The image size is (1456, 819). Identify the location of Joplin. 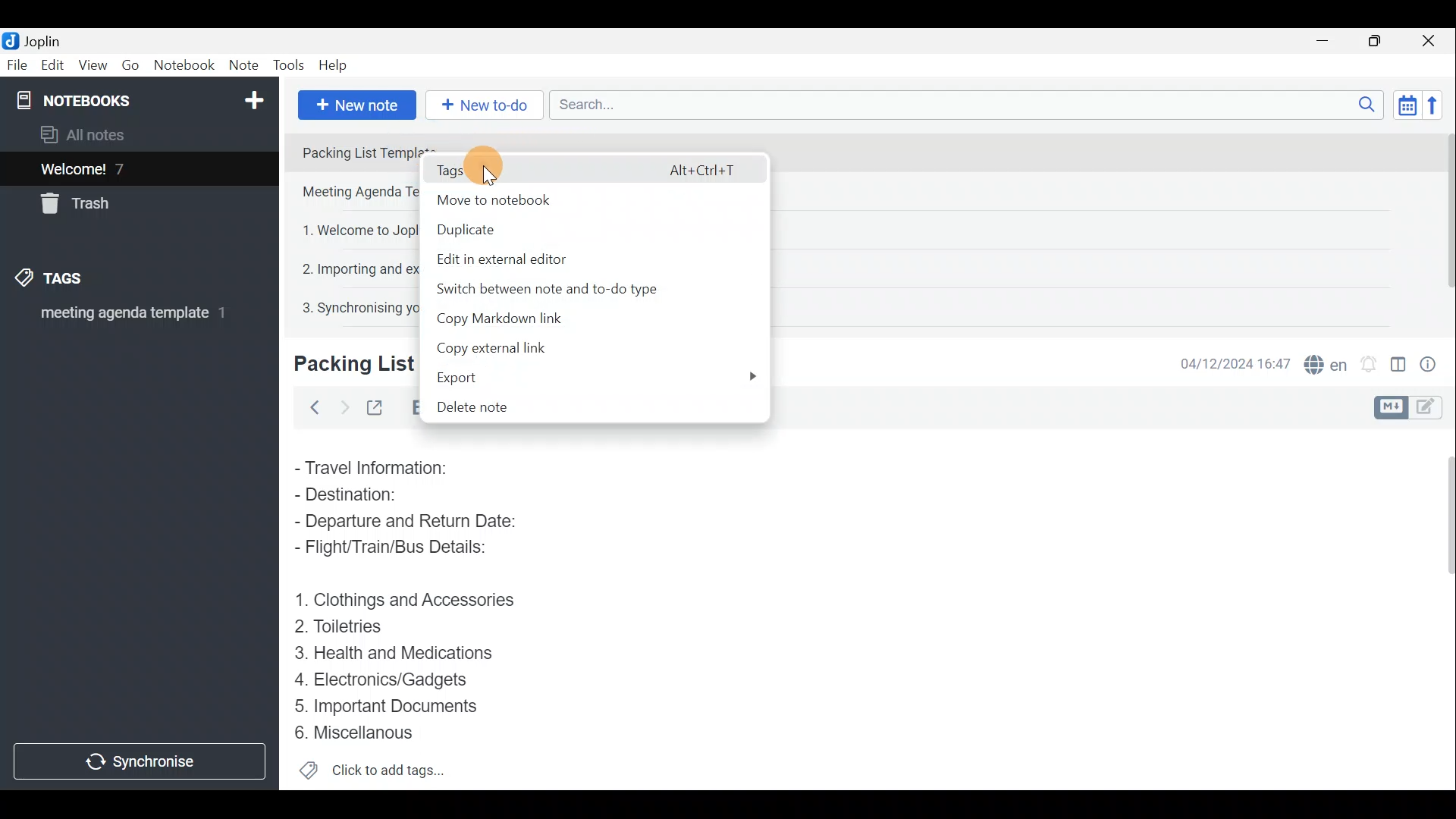
(36, 40).